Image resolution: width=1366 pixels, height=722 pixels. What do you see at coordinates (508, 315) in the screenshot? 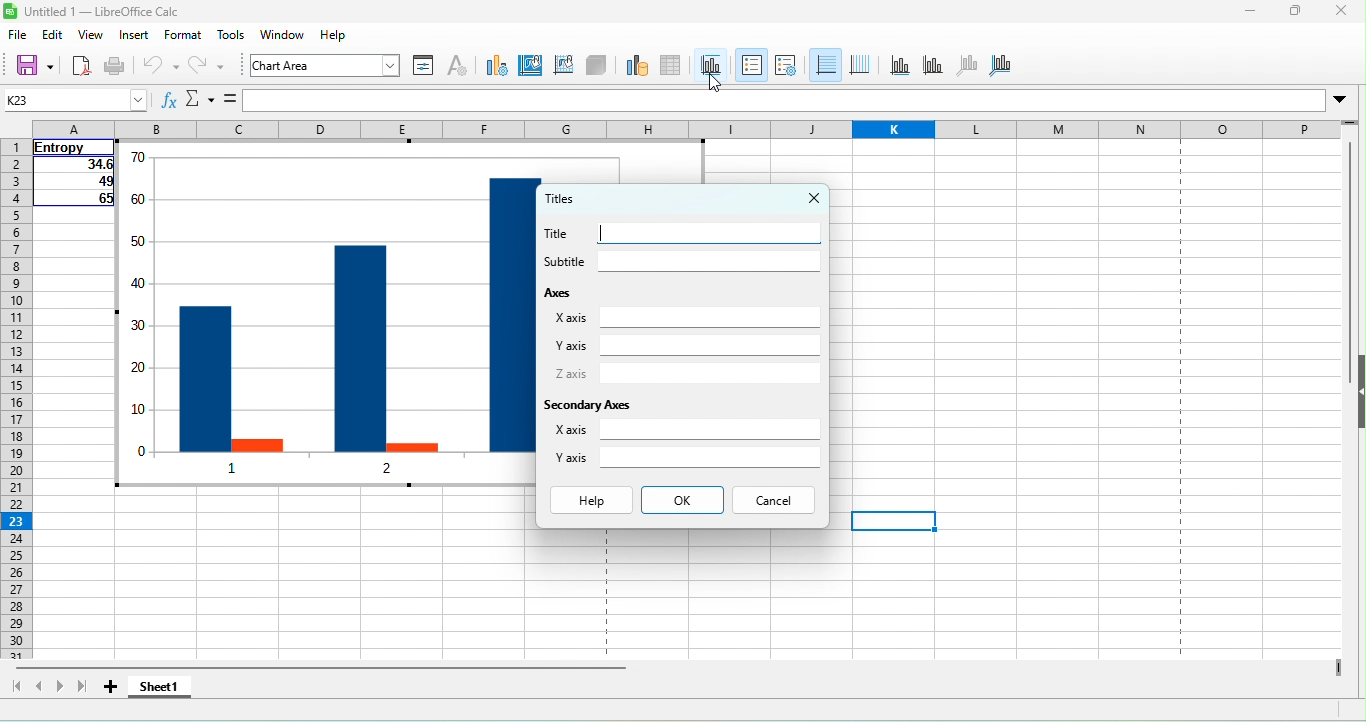
I see `entropy 3` at bounding box center [508, 315].